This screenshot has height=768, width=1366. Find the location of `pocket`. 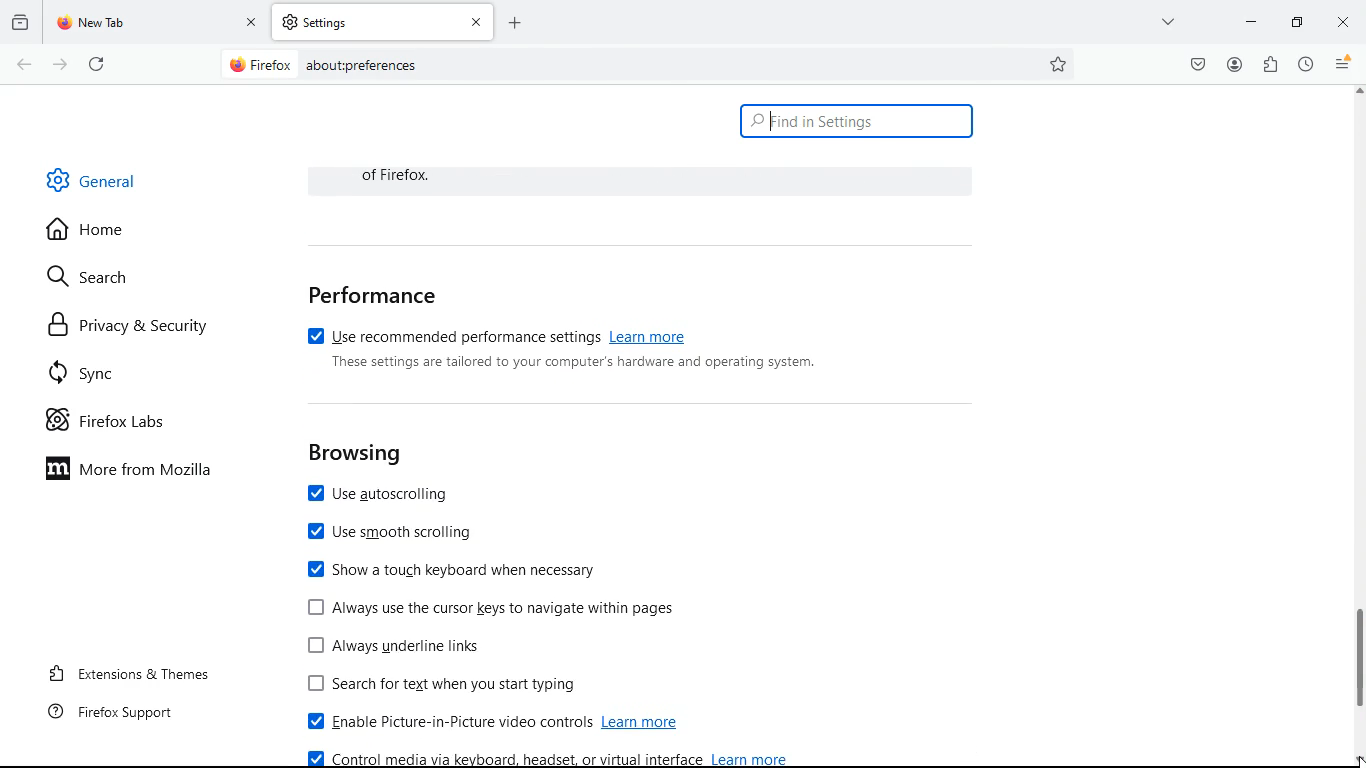

pocket is located at coordinates (1194, 65).